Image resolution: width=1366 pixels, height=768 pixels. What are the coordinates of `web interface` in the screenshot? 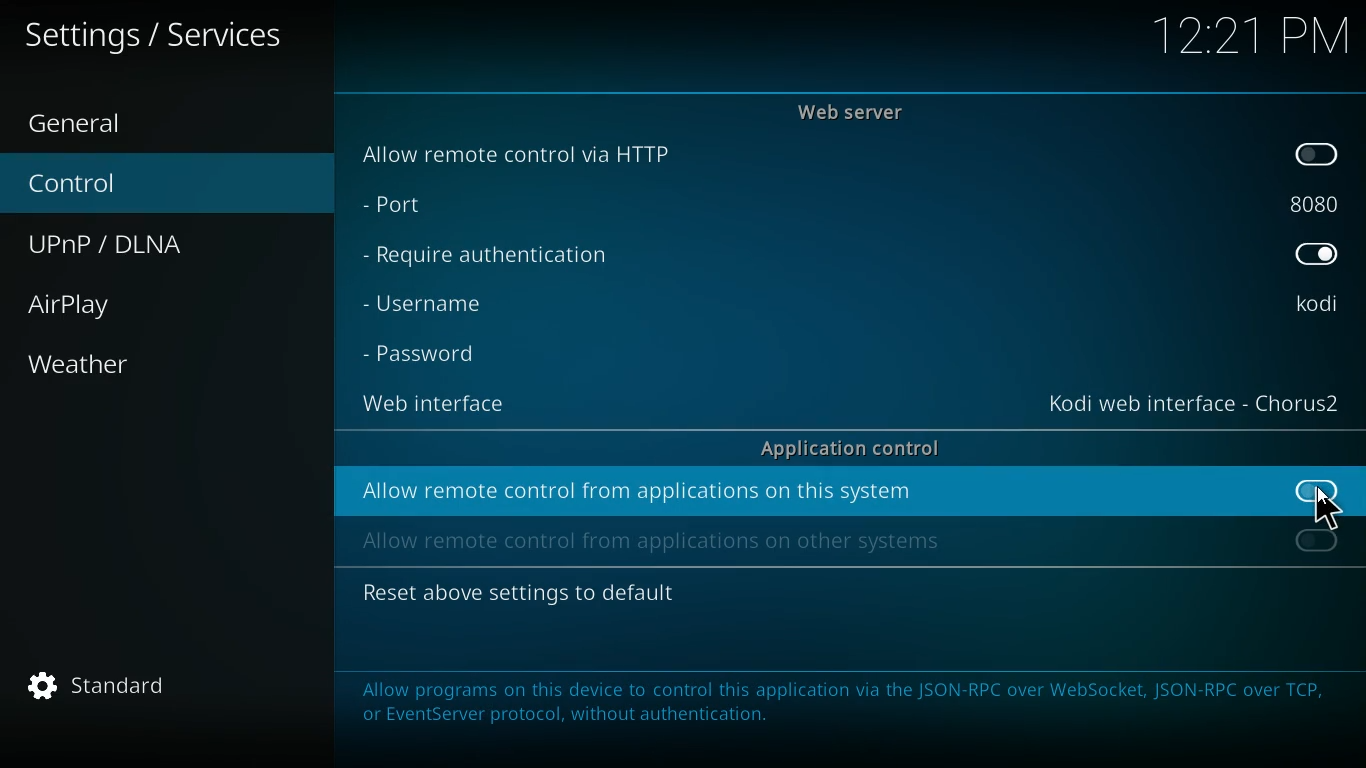 It's located at (441, 405).